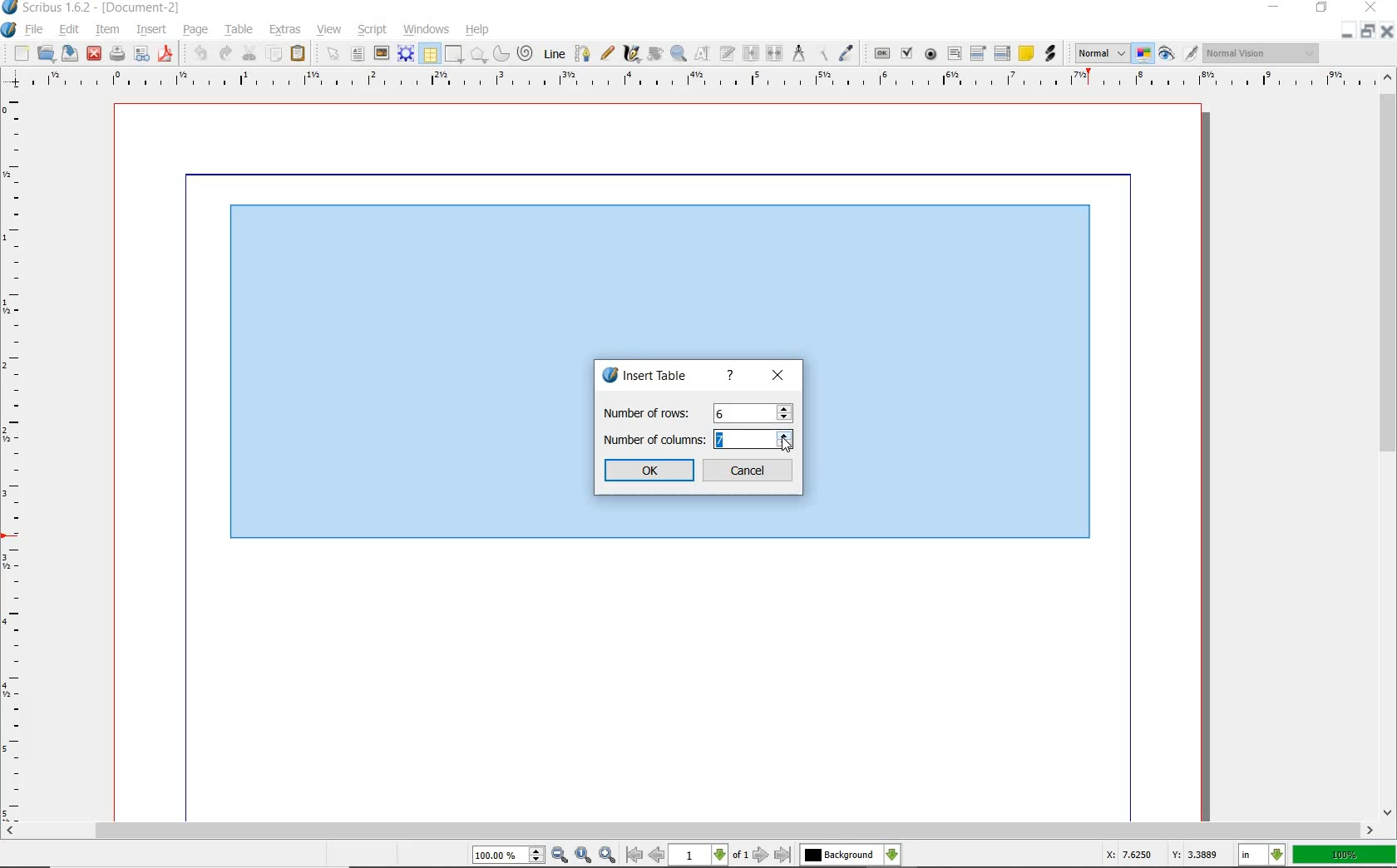 This screenshot has width=1397, height=868. What do you see at coordinates (954, 54) in the screenshot?
I see `pdf text field` at bounding box center [954, 54].